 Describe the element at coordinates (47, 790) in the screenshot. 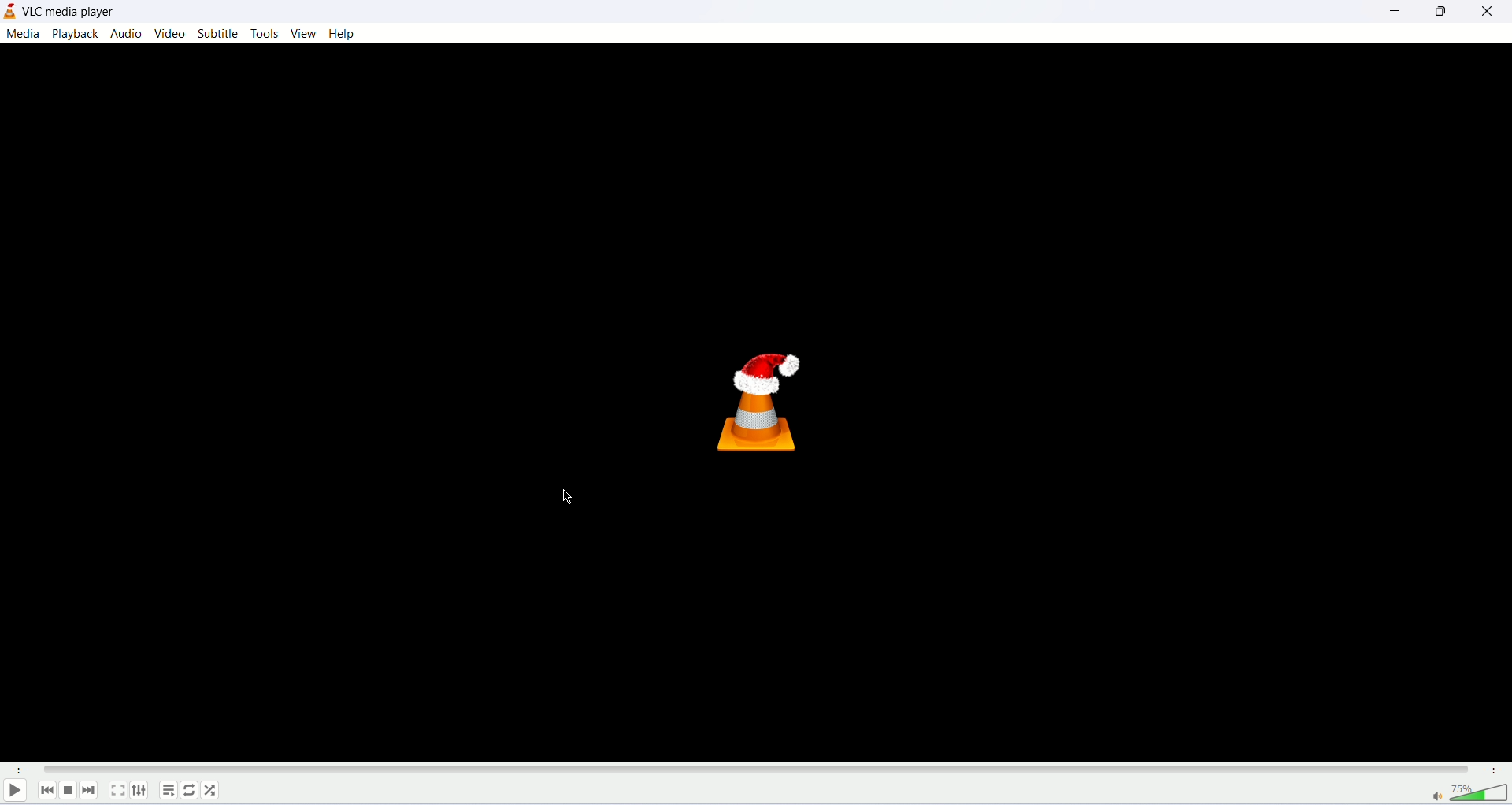

I see `previous track` at that location.